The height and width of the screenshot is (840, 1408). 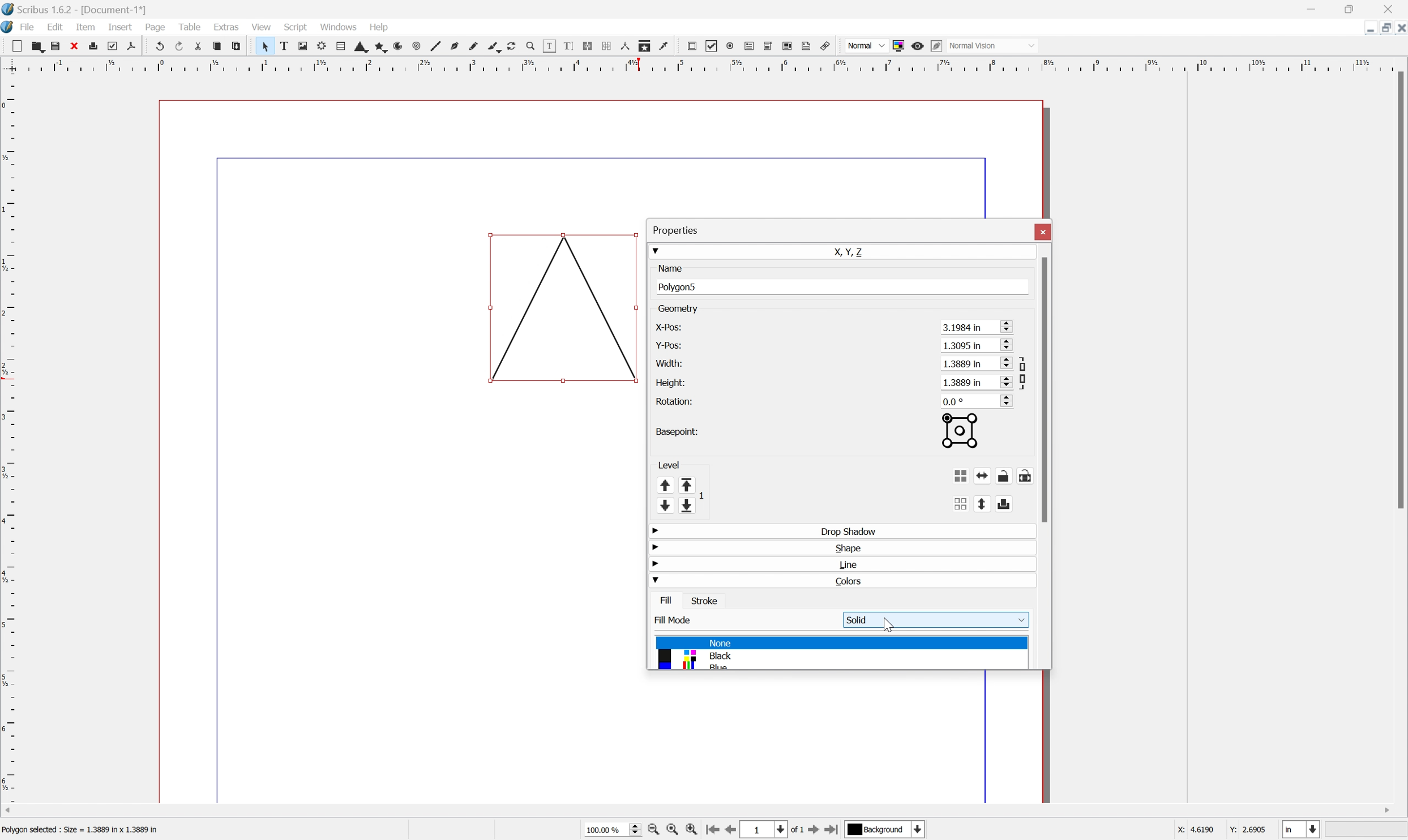 I want to click on Save as PDF, so click(x=131, y=48).